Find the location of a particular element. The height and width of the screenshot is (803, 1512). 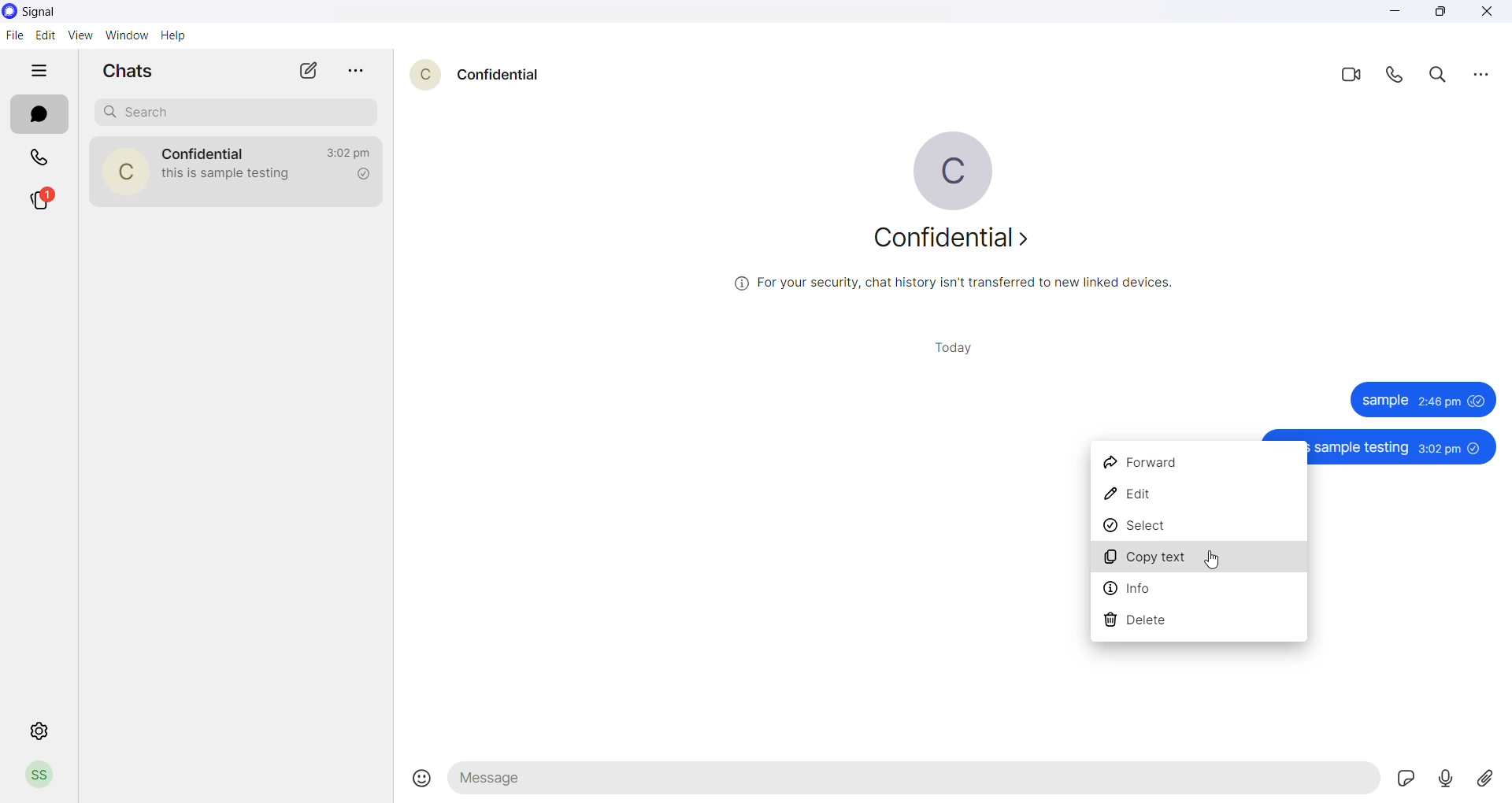

view is located at coordinates (79, 35).